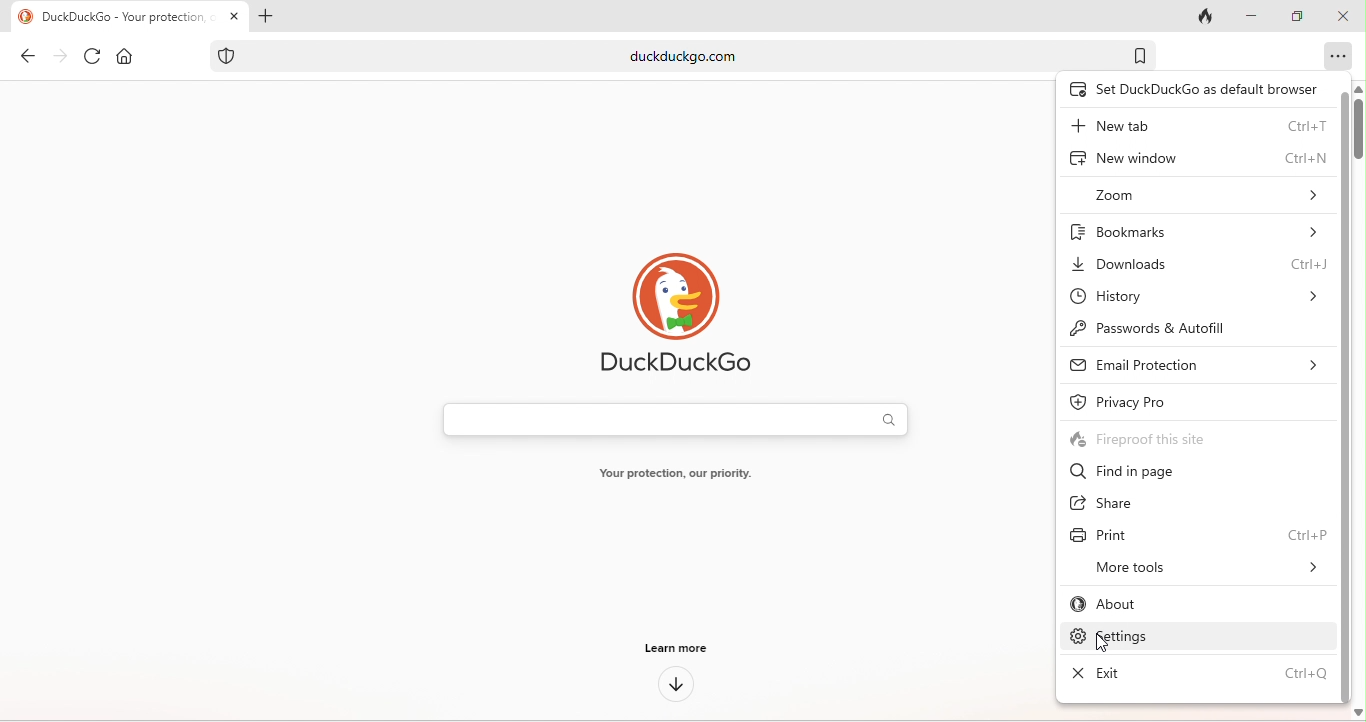 The width and height of the screenshot is (1366, 722). Describe the element at coordinates (1248, 16) in the screenshot. I see `minimize` at that location.